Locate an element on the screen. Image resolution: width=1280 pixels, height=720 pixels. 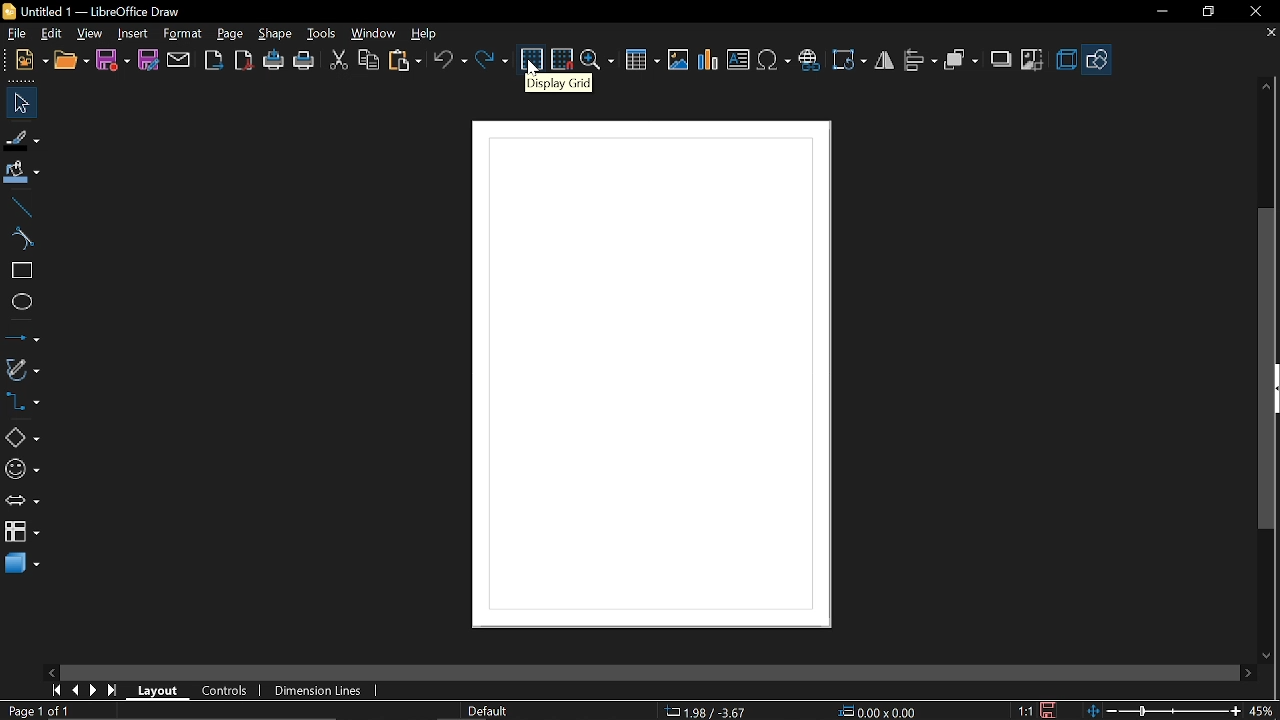
45% - Current zoom is located at coordinates (1262, 712).